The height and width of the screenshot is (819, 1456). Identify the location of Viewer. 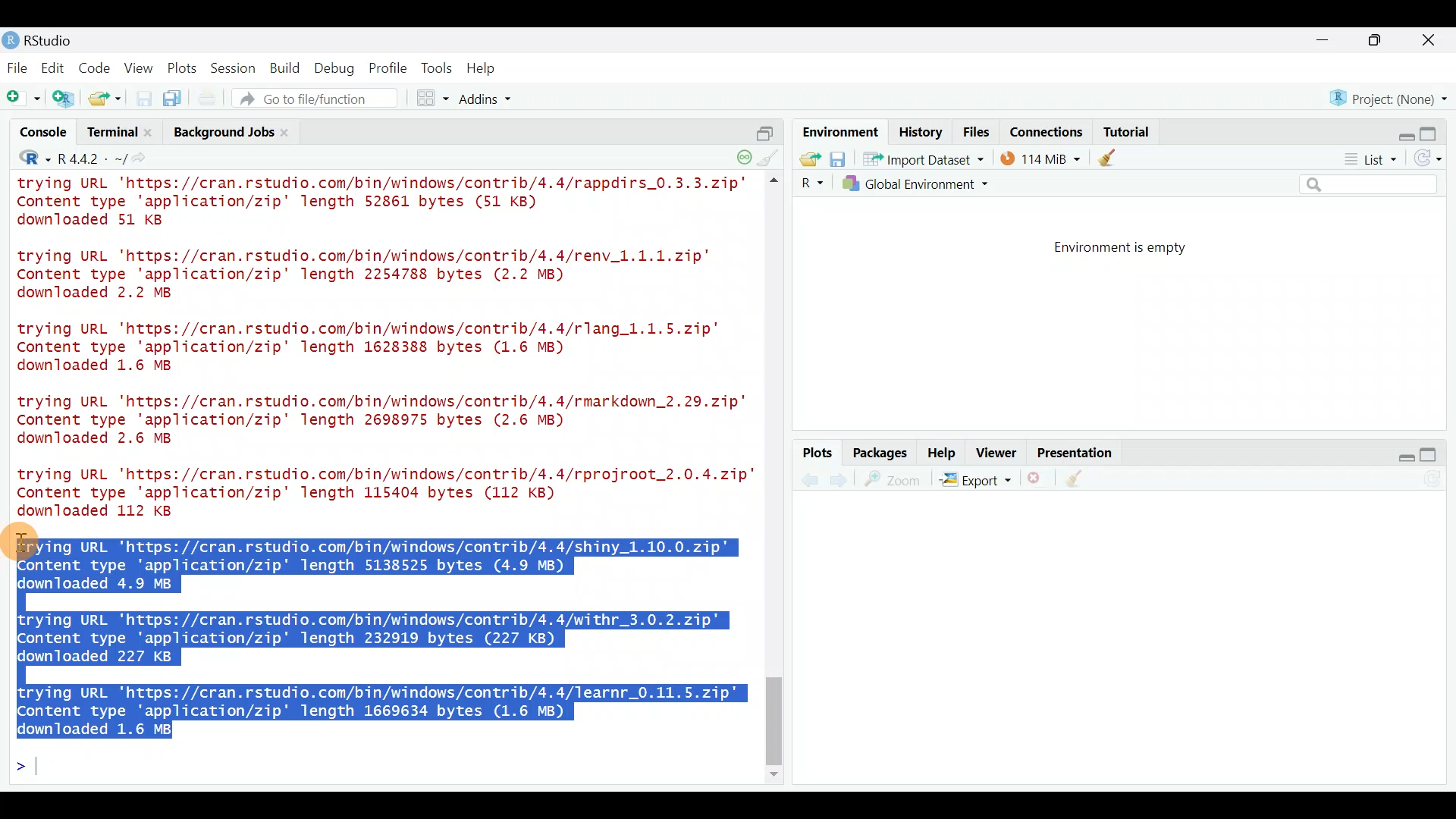
(996, 454).